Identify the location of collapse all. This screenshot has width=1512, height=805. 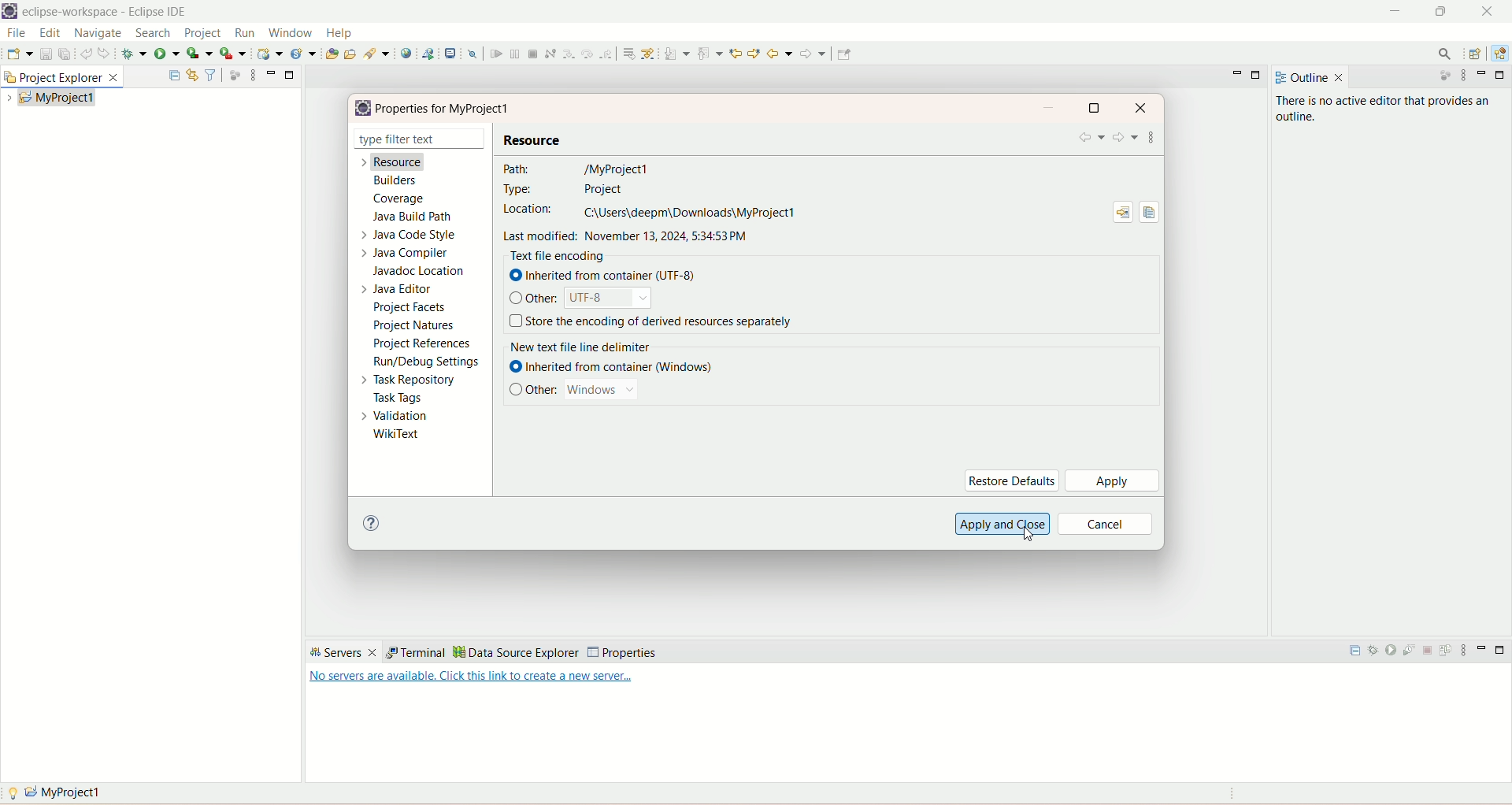
(1355, 655).